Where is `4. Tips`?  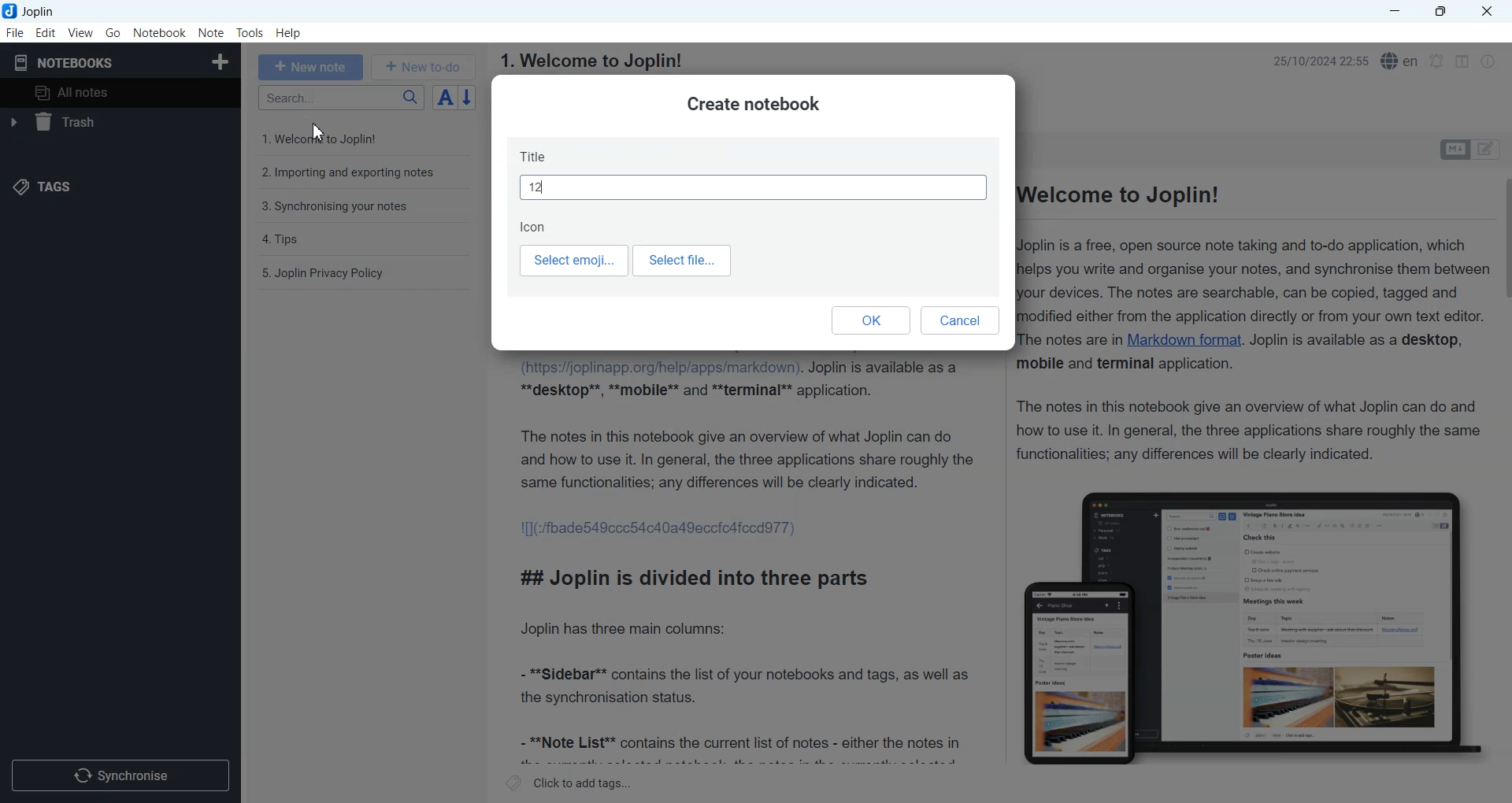 4. Tips is located at coordinates (282, 239).